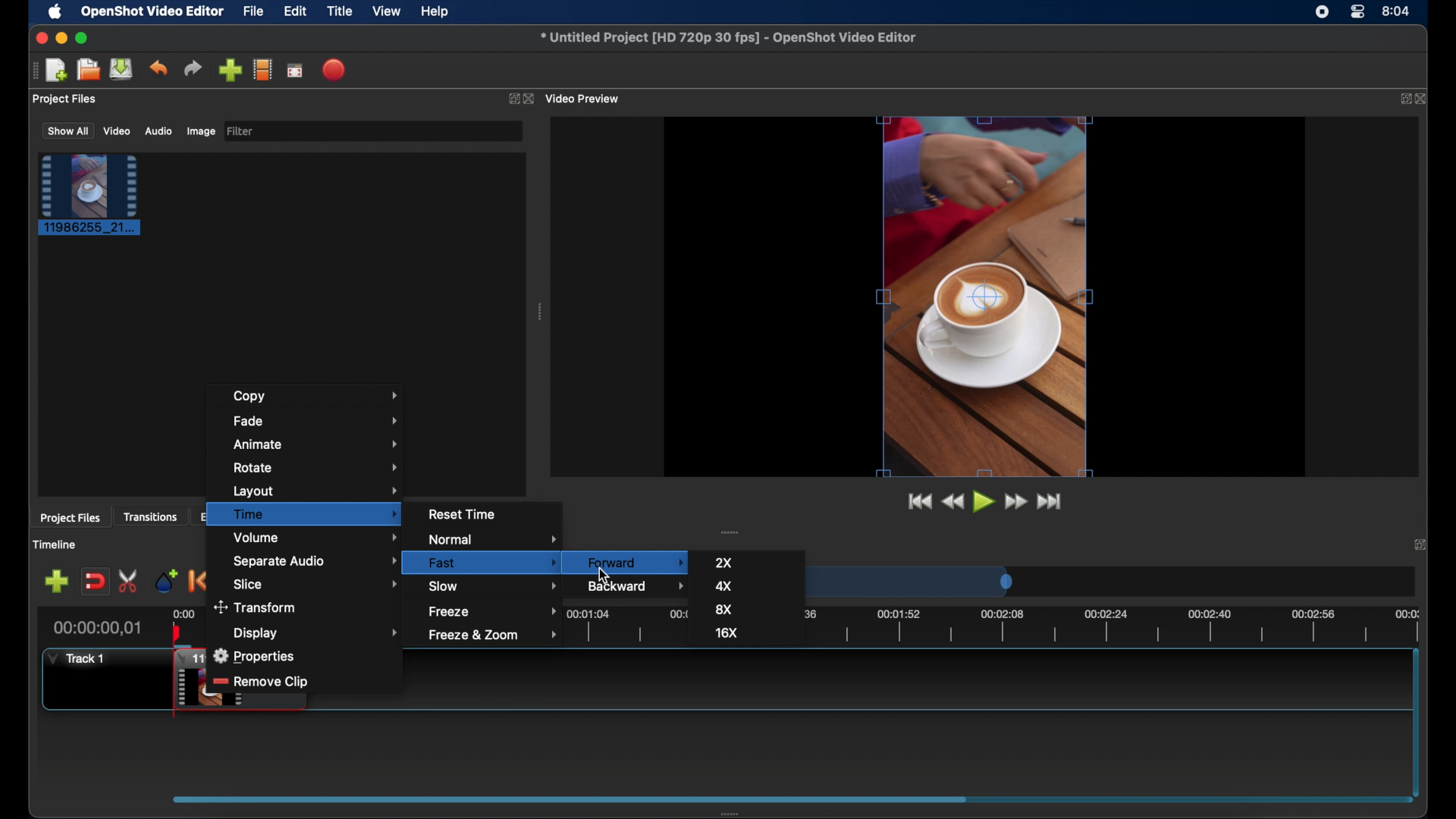 This screenshot has height=819, width=1456. Describe the element at coordinates (730, 632) in the screenshot. I see `16x` at that location.